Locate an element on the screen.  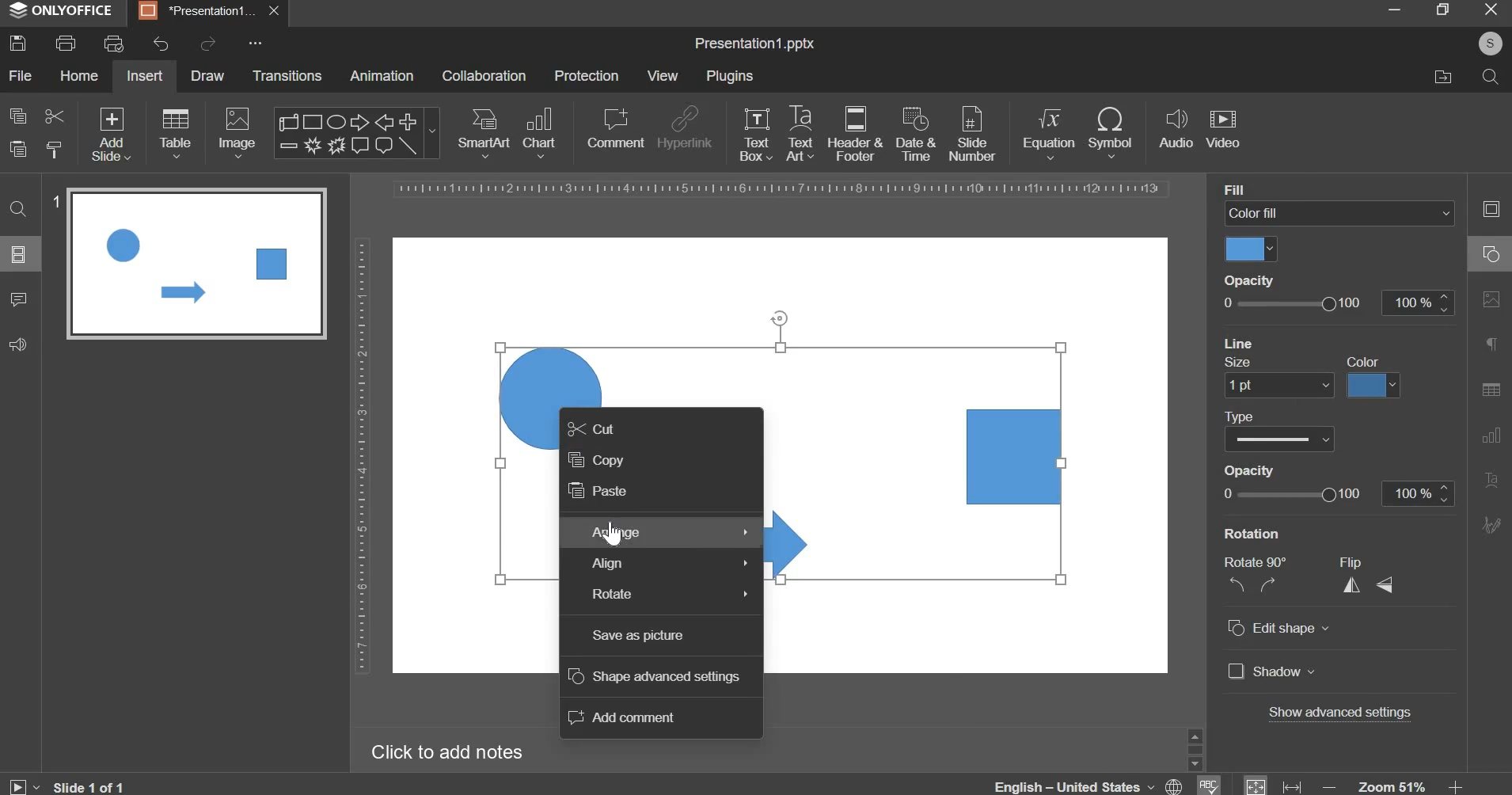
hyperlink is located at coordinates (684, 130).